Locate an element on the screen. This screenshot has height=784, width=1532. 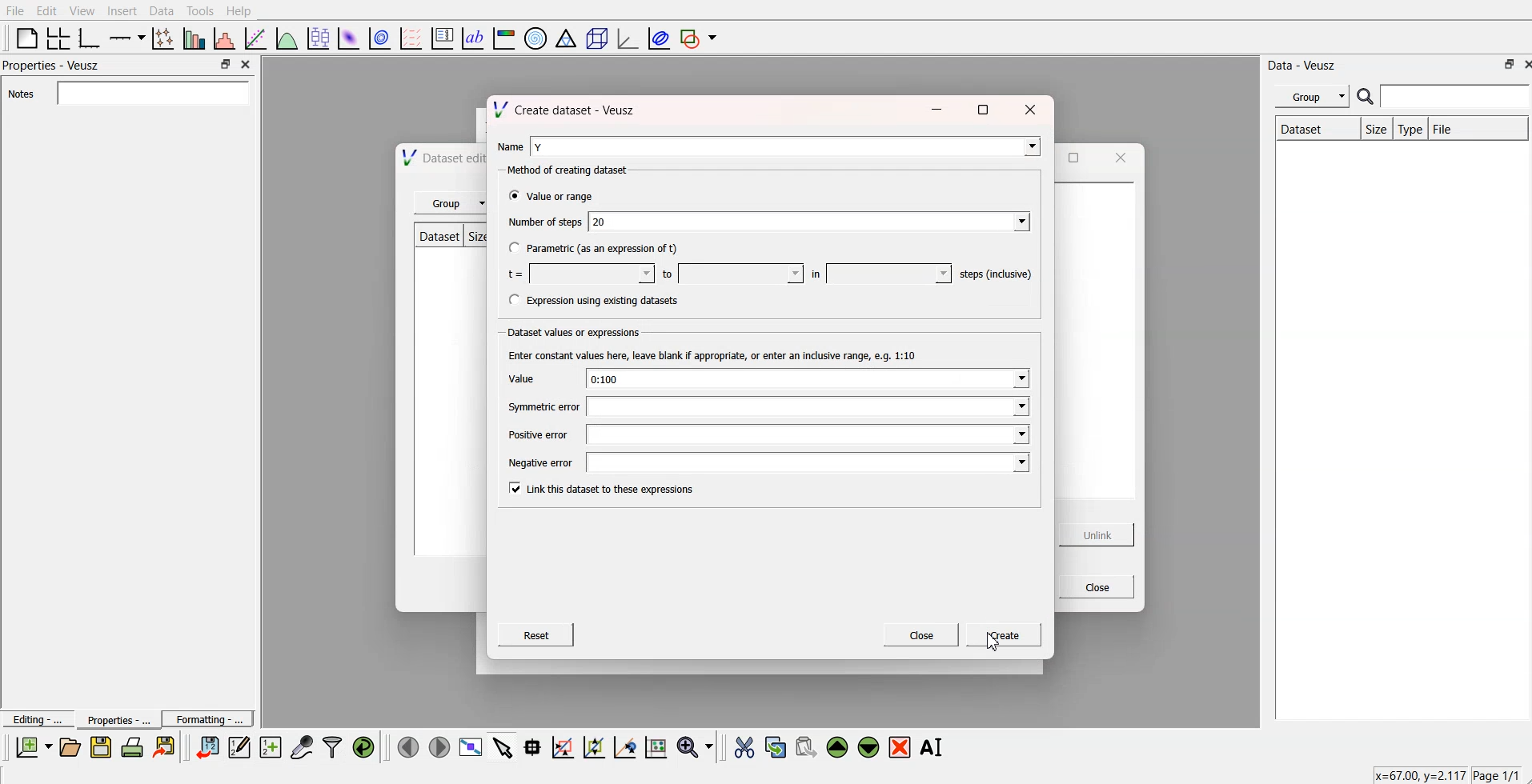
fit a function to data is located at coordinates (256, 38).